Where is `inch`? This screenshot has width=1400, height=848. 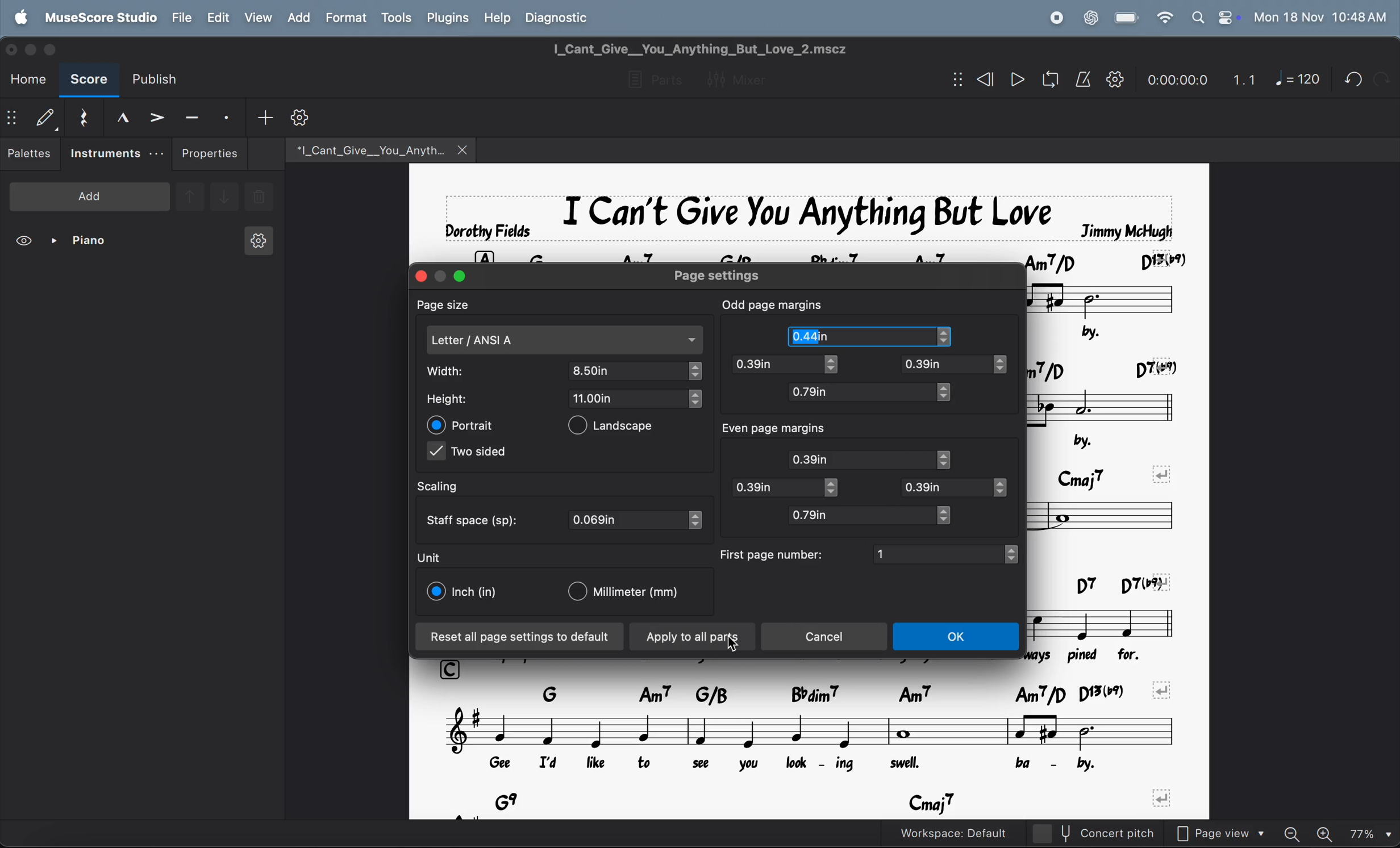 inch is located at coordinates (464, 592).